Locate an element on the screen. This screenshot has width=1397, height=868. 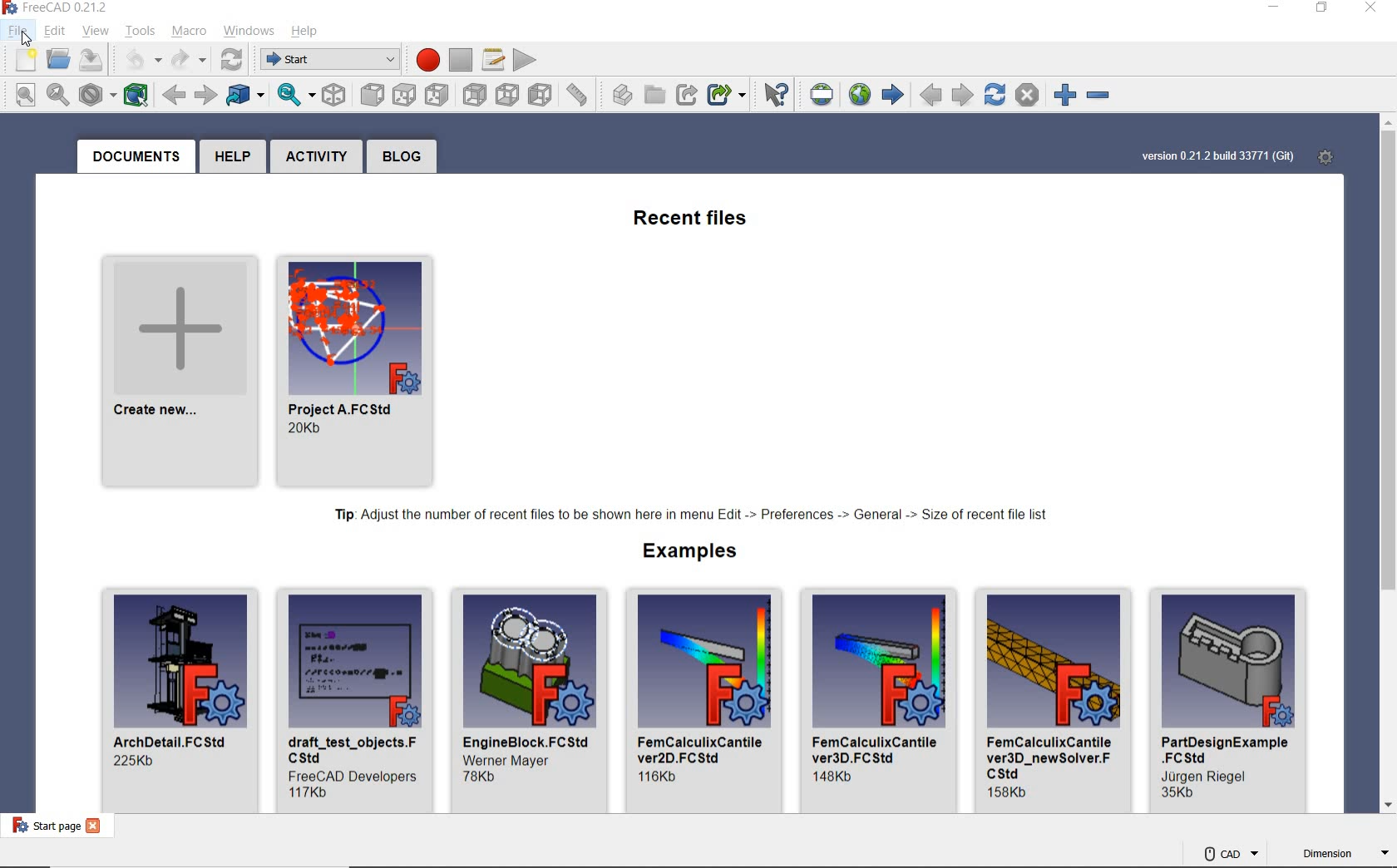
image is located at coordinates (180, 662).